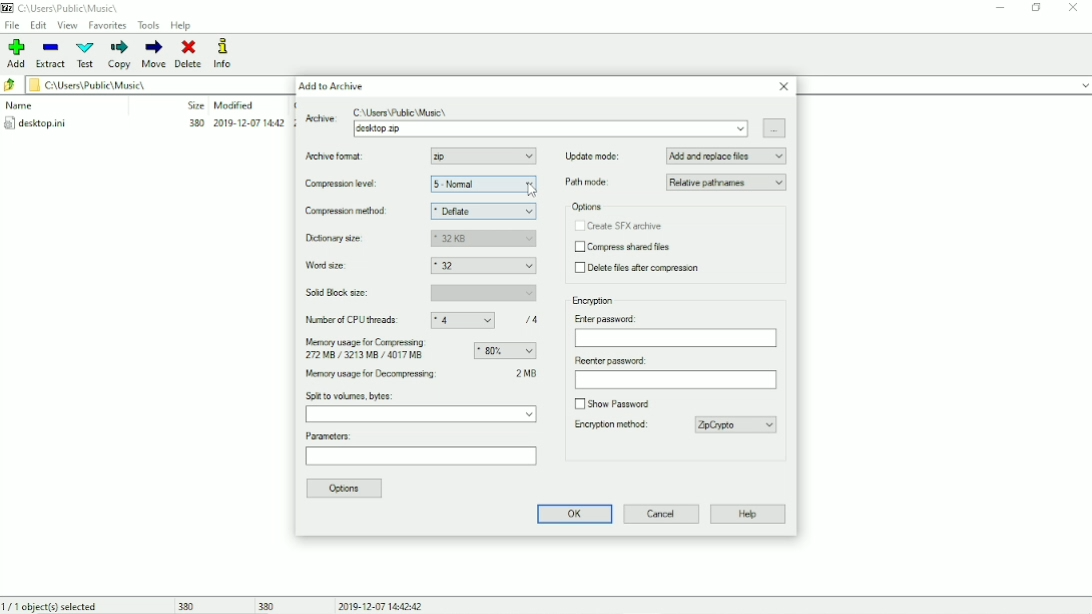 This screenshot has width=1092, height=614. I want to click on Restore down, so click(1038, 7).